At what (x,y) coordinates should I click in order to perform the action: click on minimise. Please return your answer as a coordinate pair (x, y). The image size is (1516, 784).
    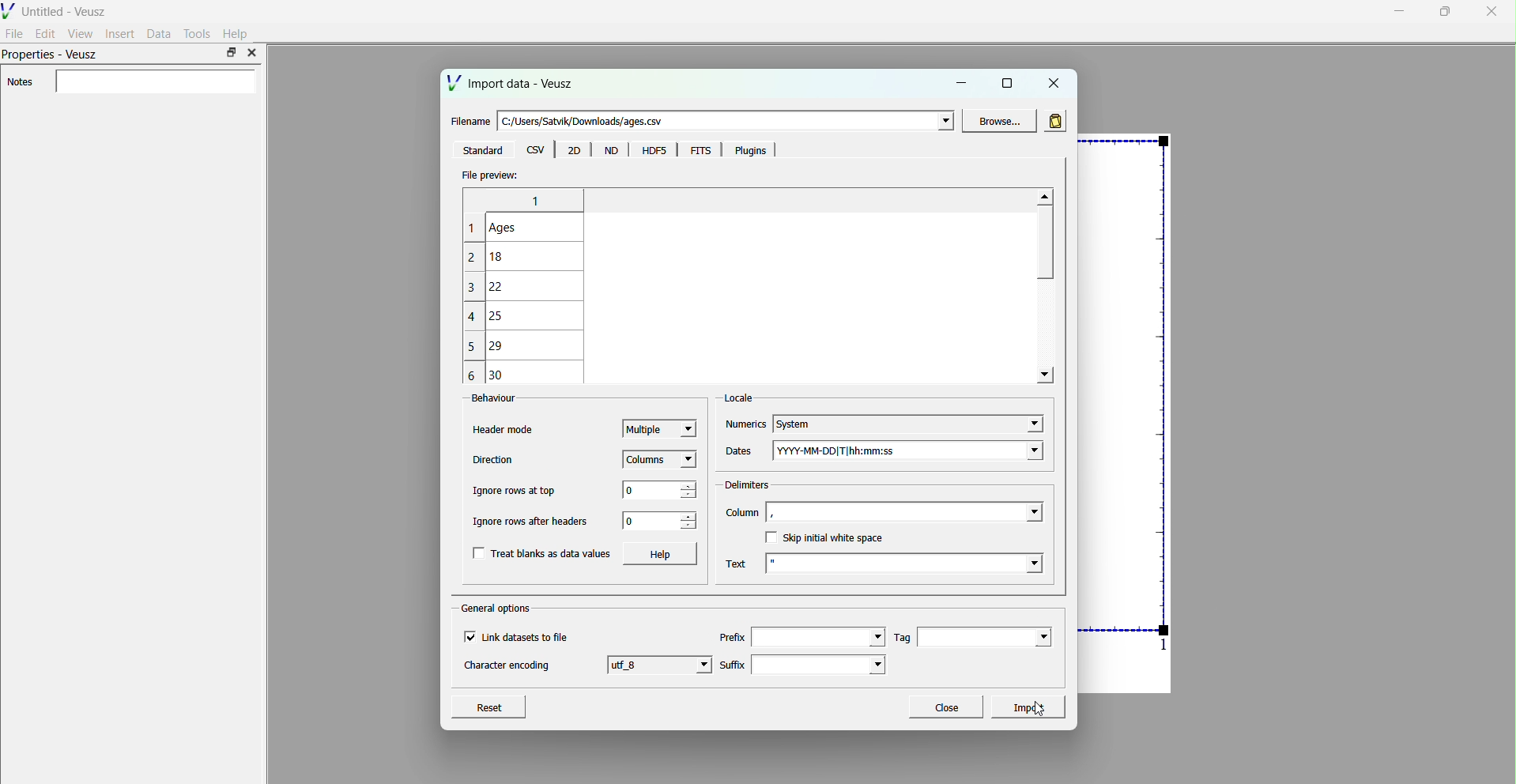
    Looking at the image, I should click on (1400, 10).